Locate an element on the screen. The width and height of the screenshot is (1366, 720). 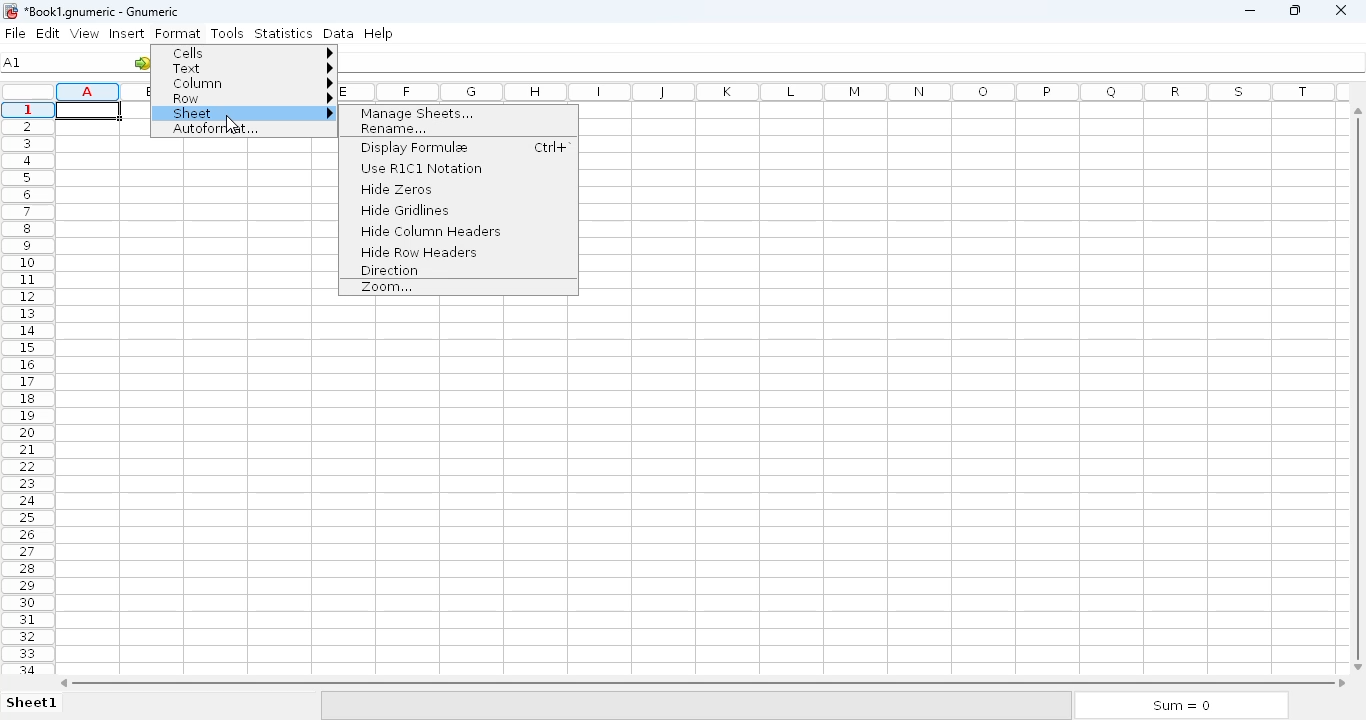
*Book1.gnumeric - Gnumeric is located at coordinates (111, 12).